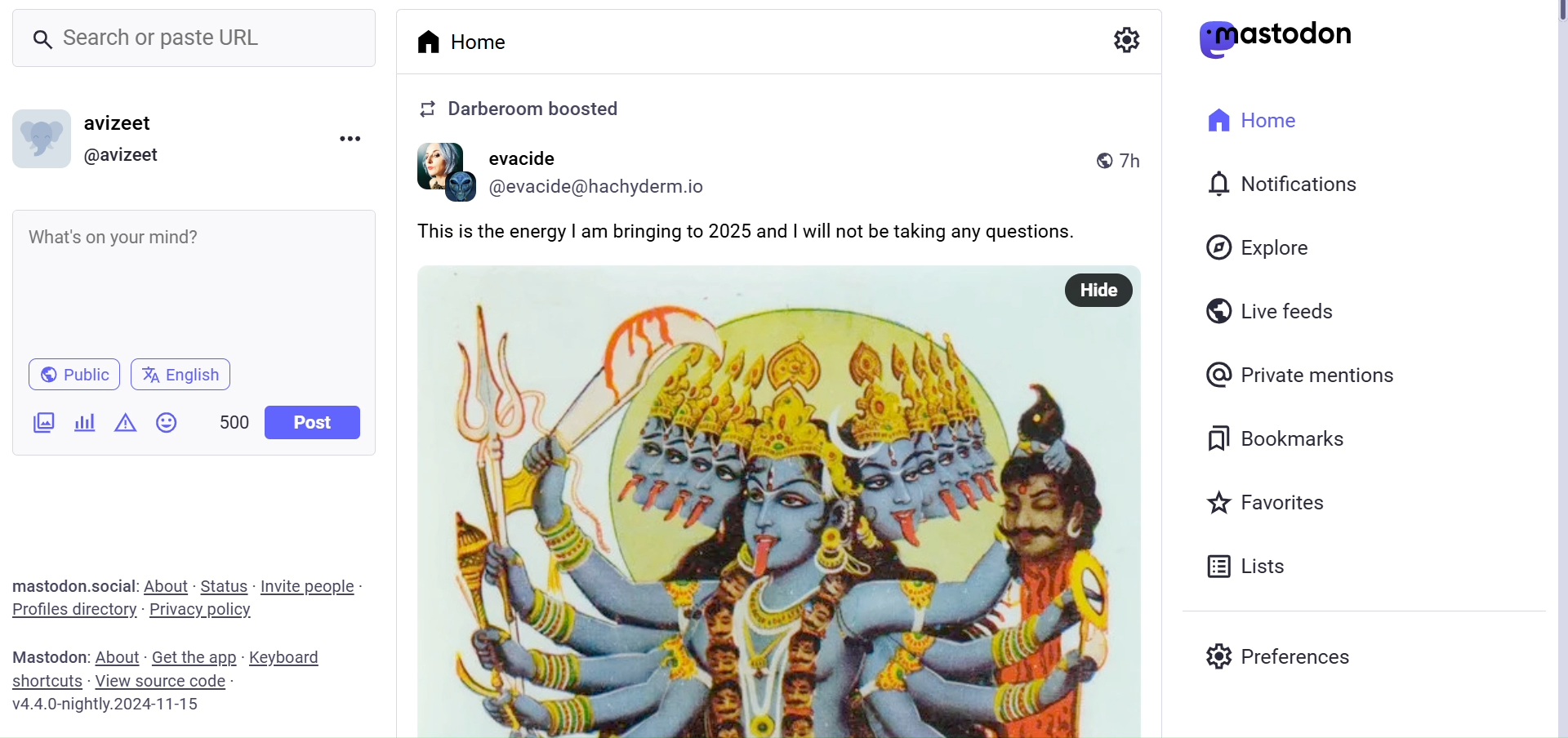  Describe the element at coordinates (289, 658) in the screenshot. I see `Keyboard` at that location.